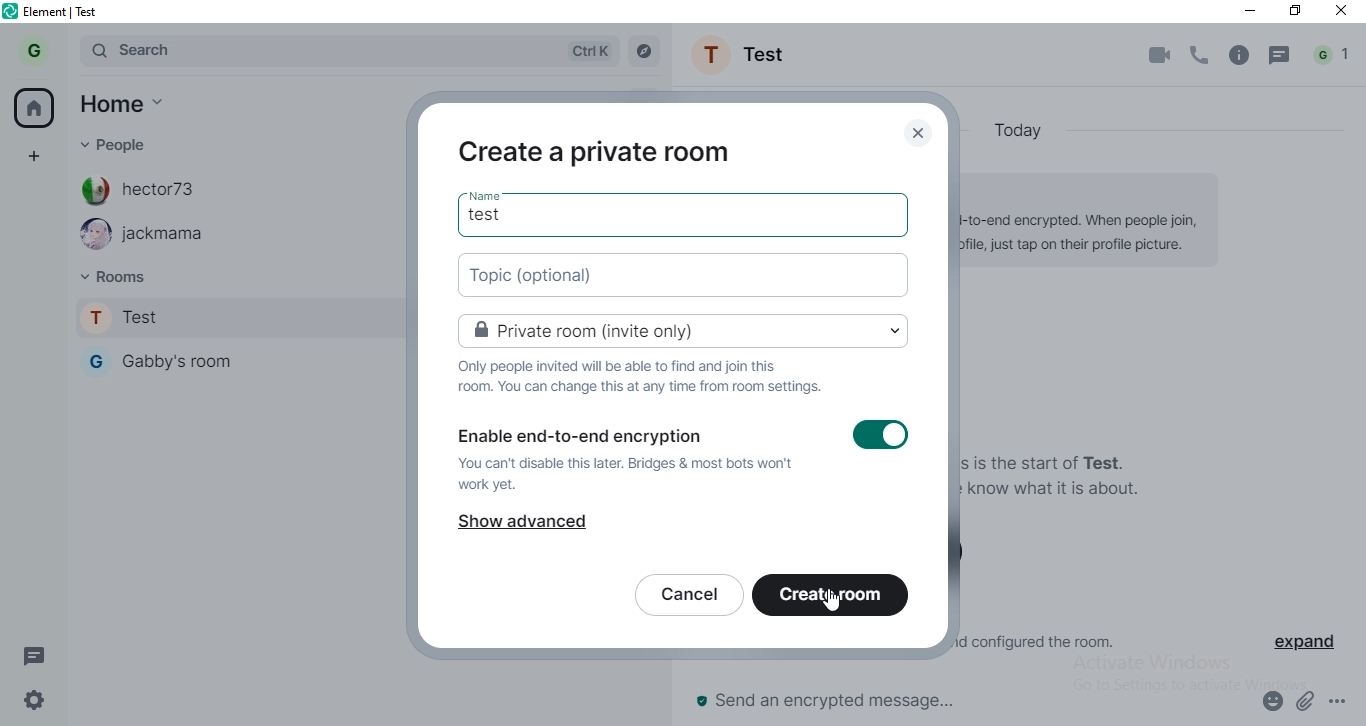  I want to click on message, so click(1280, 55).